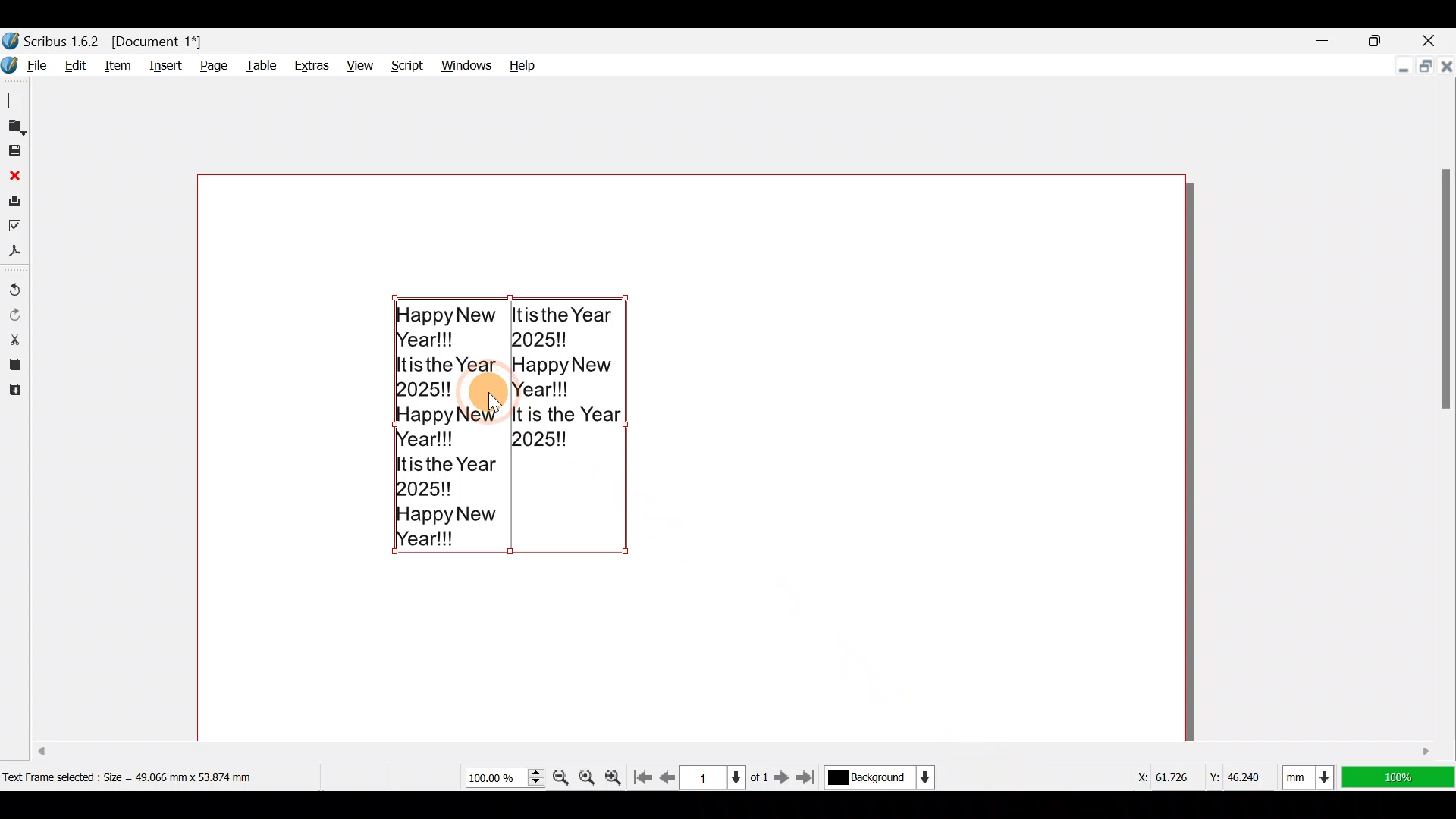 The image size is (1456, 819). Describe the element at coordinates (562, 773) in the screenshot. I see `Zoom out by the stepping value in tools preferences` at that location.